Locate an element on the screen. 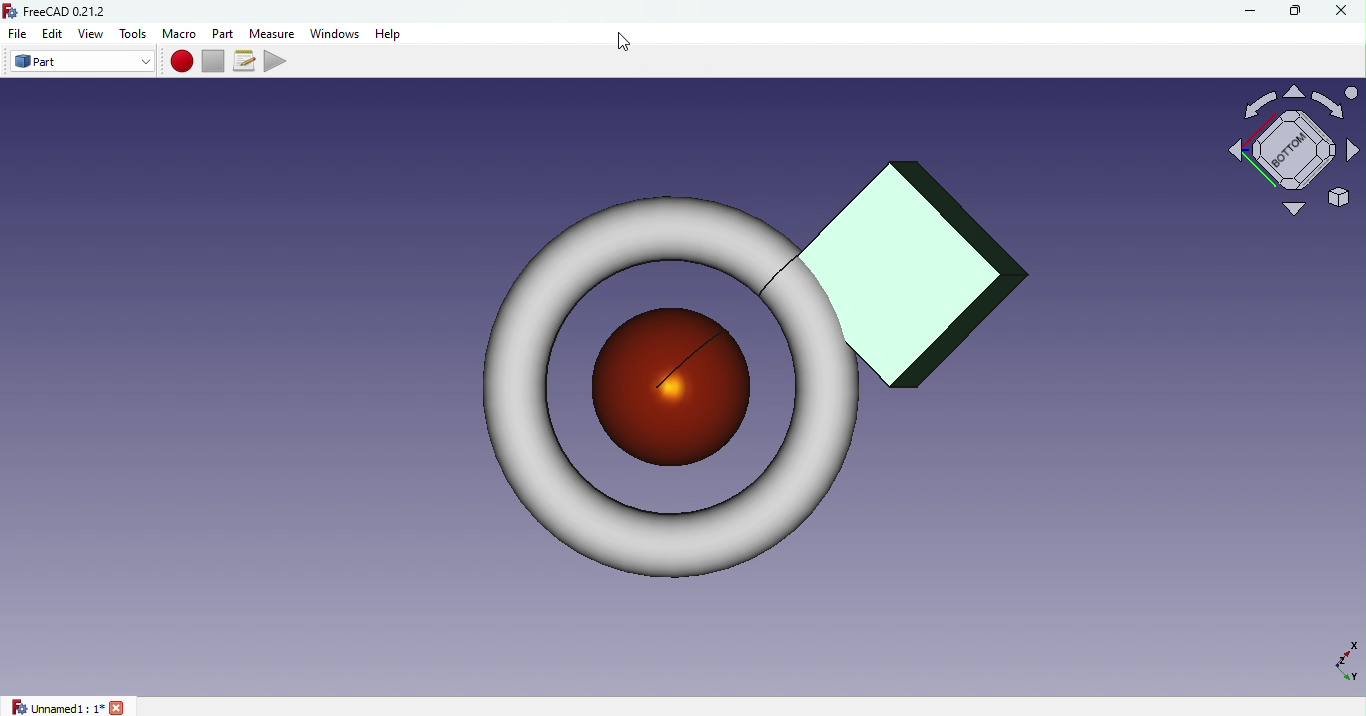 The height and width of the screenshot is (716, 1366). Windows is located at coordinates (335, 33).